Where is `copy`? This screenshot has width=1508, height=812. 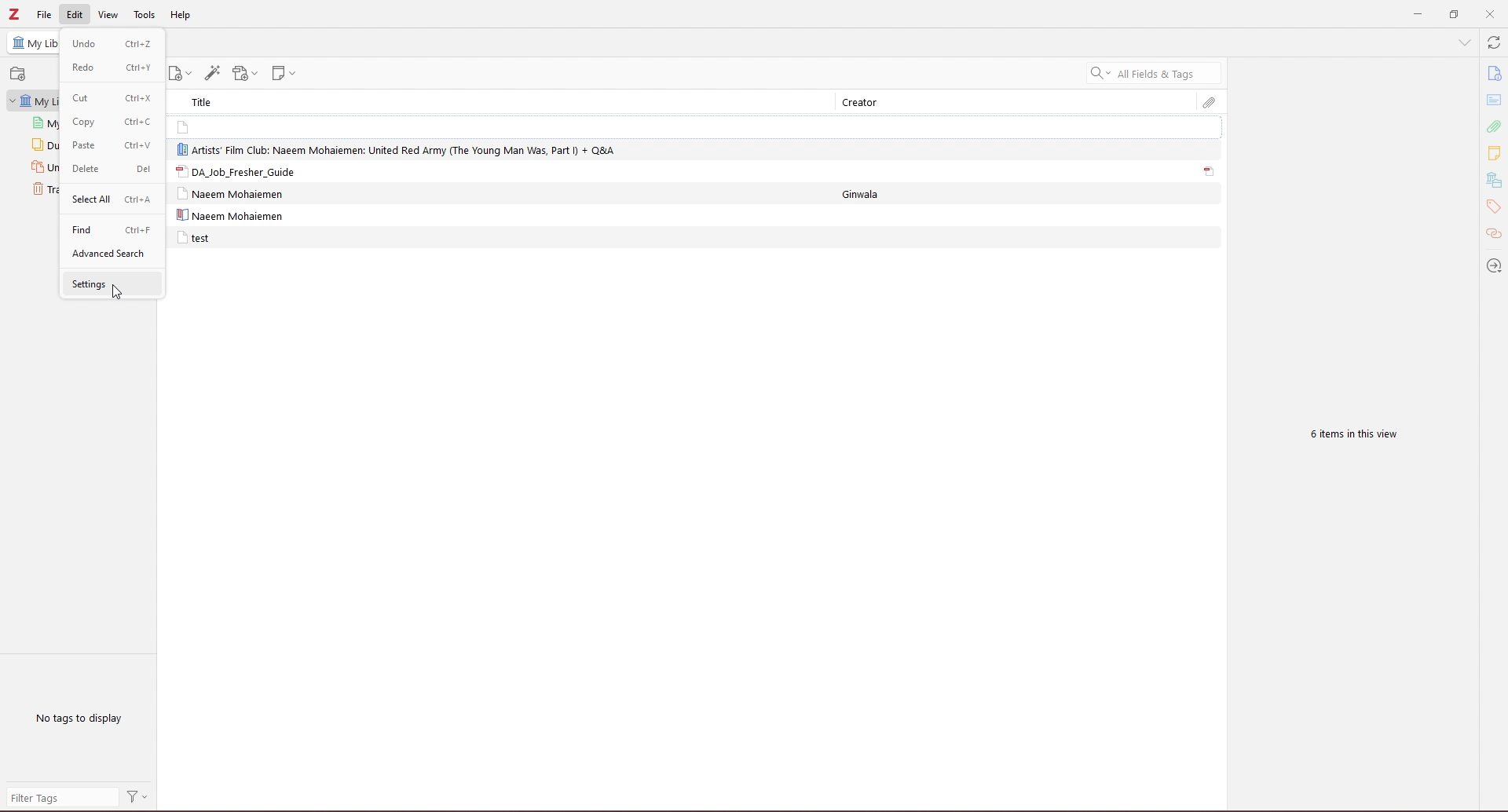 copy is located at coordinates (111, 122).